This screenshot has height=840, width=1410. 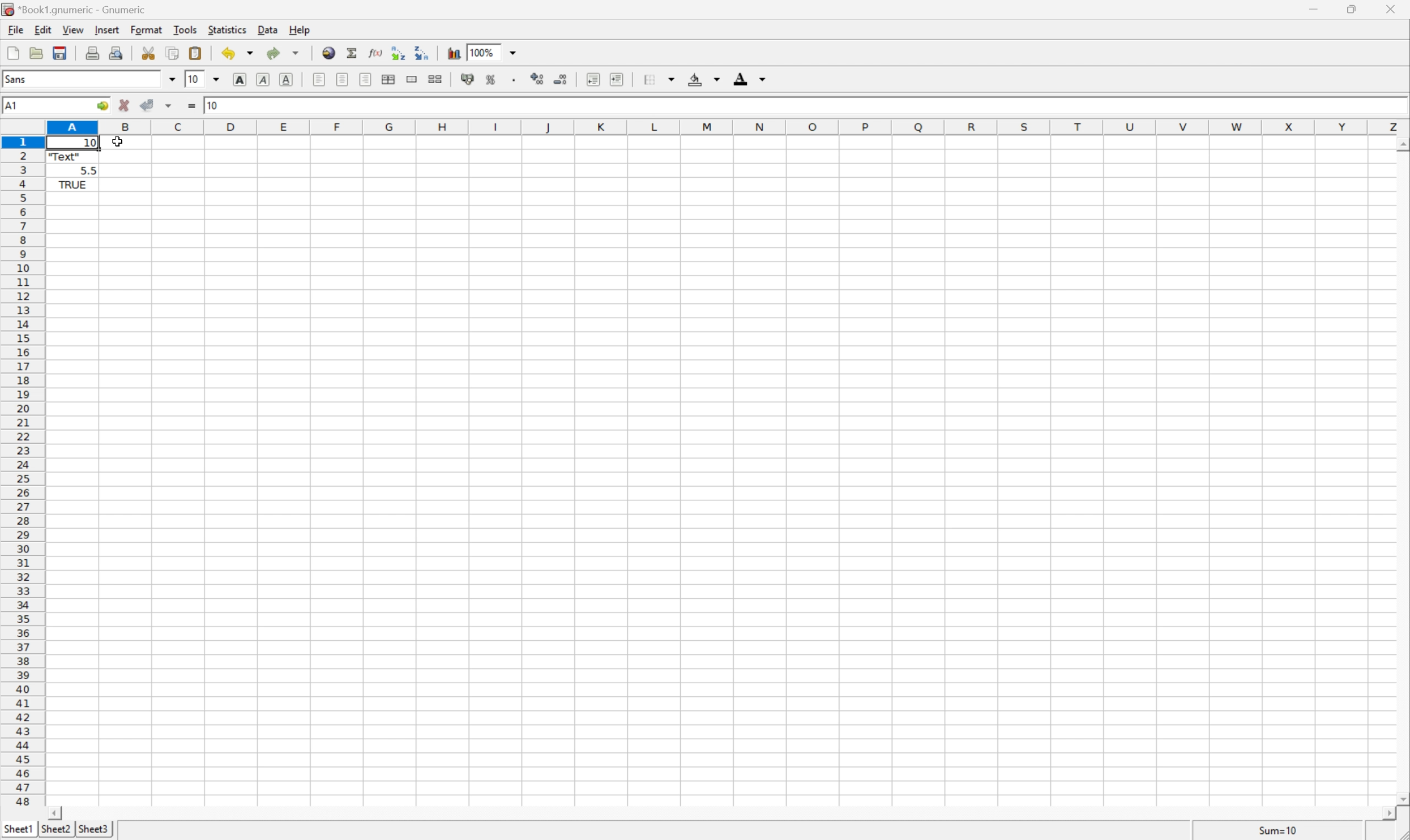 I want to click on Print current file, so click(x=93, y=53).